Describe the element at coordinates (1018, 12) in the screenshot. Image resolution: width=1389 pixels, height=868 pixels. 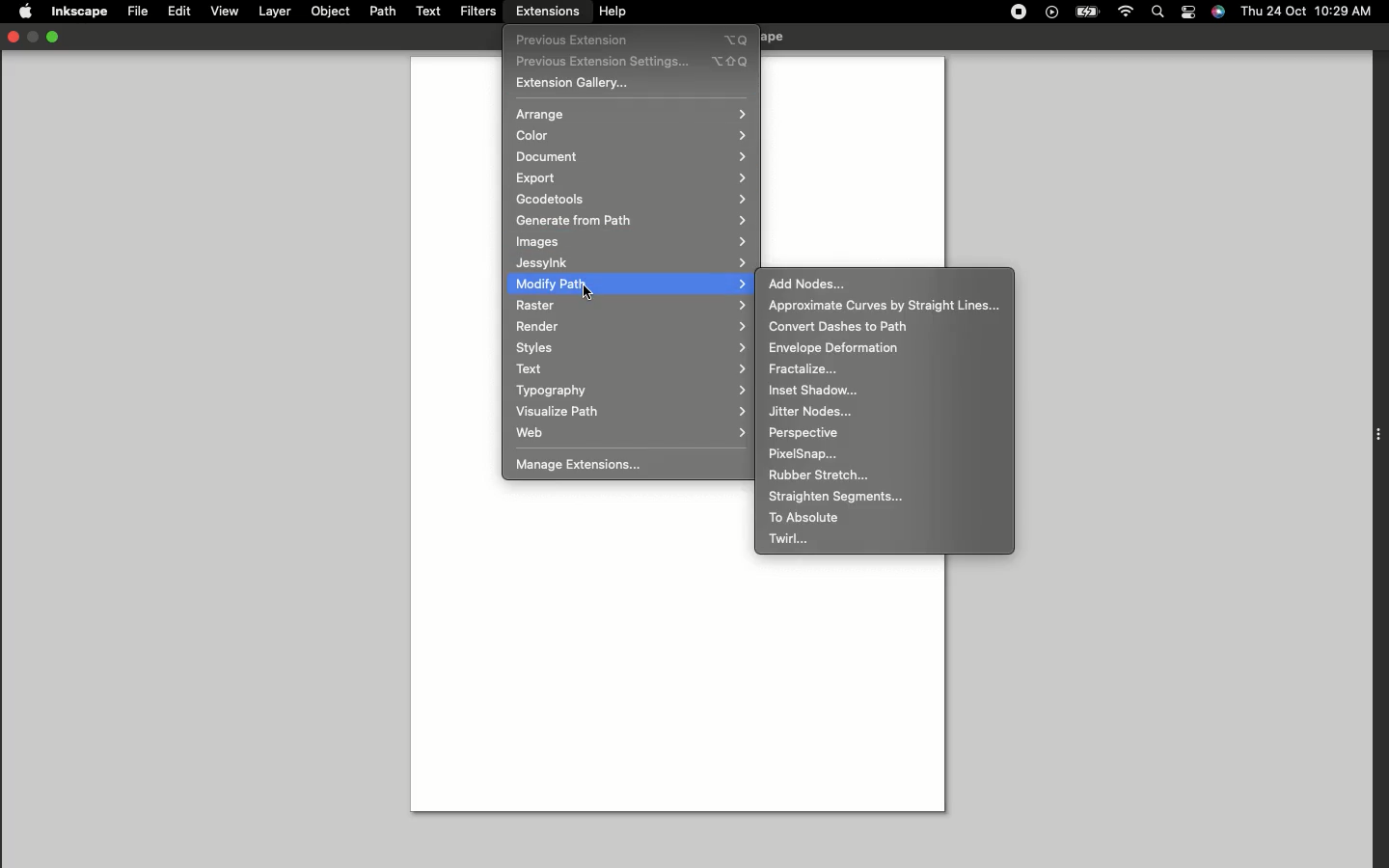
I see `Record` at that location.